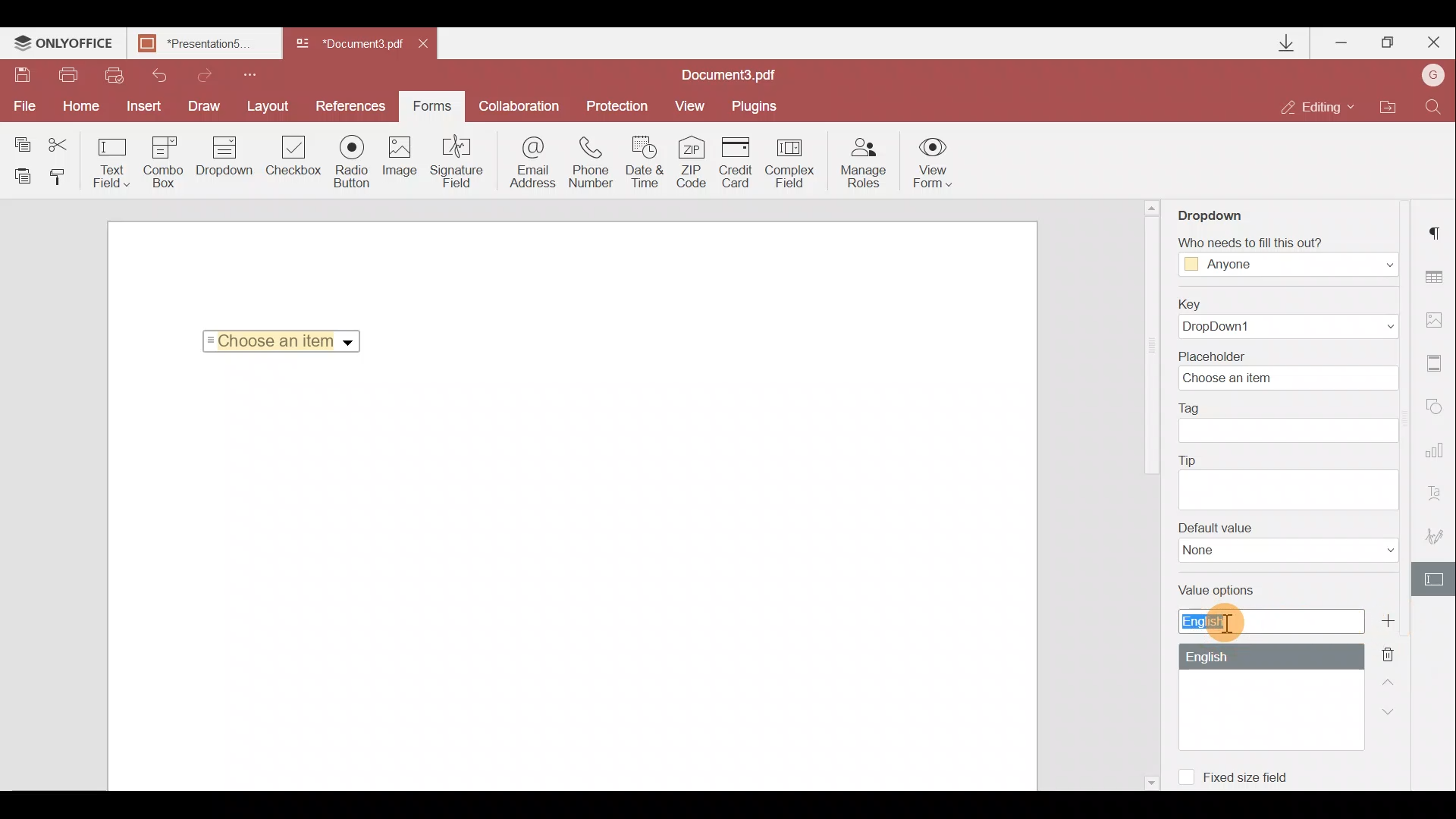  Describe the element at coordinates (1288, 43) in the screenshot. I see `Downloads` at that location.